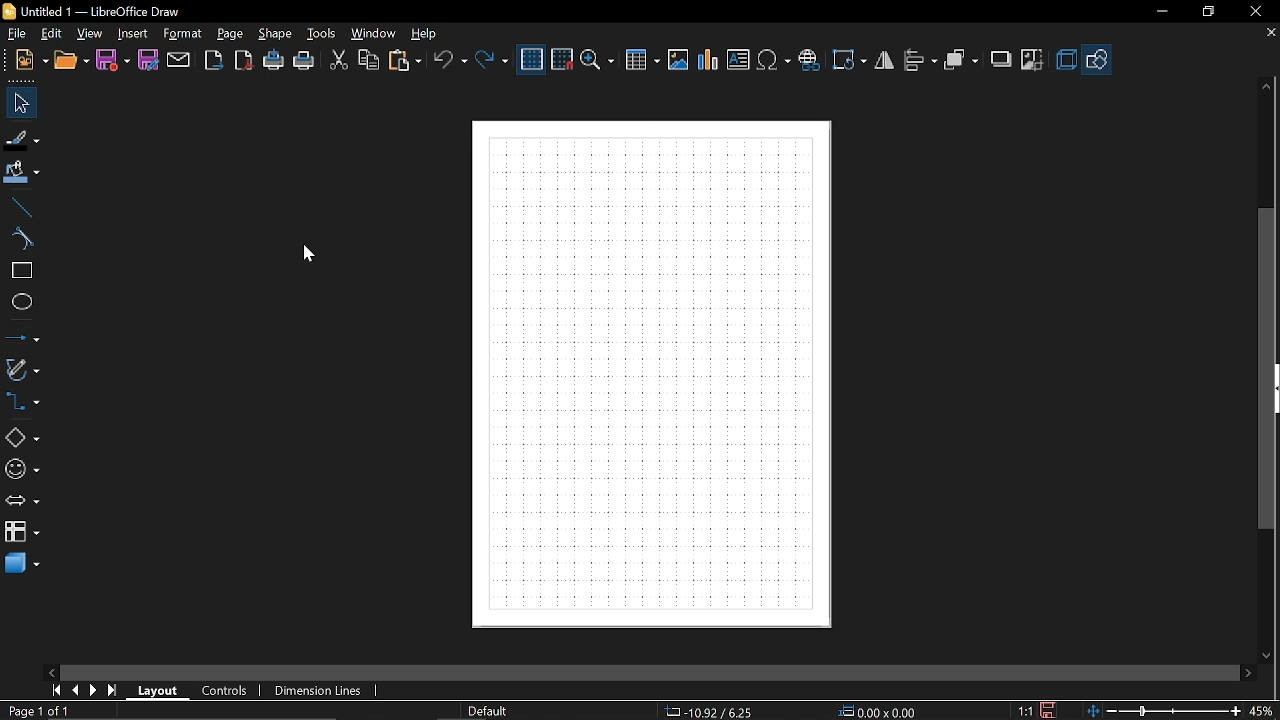  I want to click on restore down, so click(1207, 13).